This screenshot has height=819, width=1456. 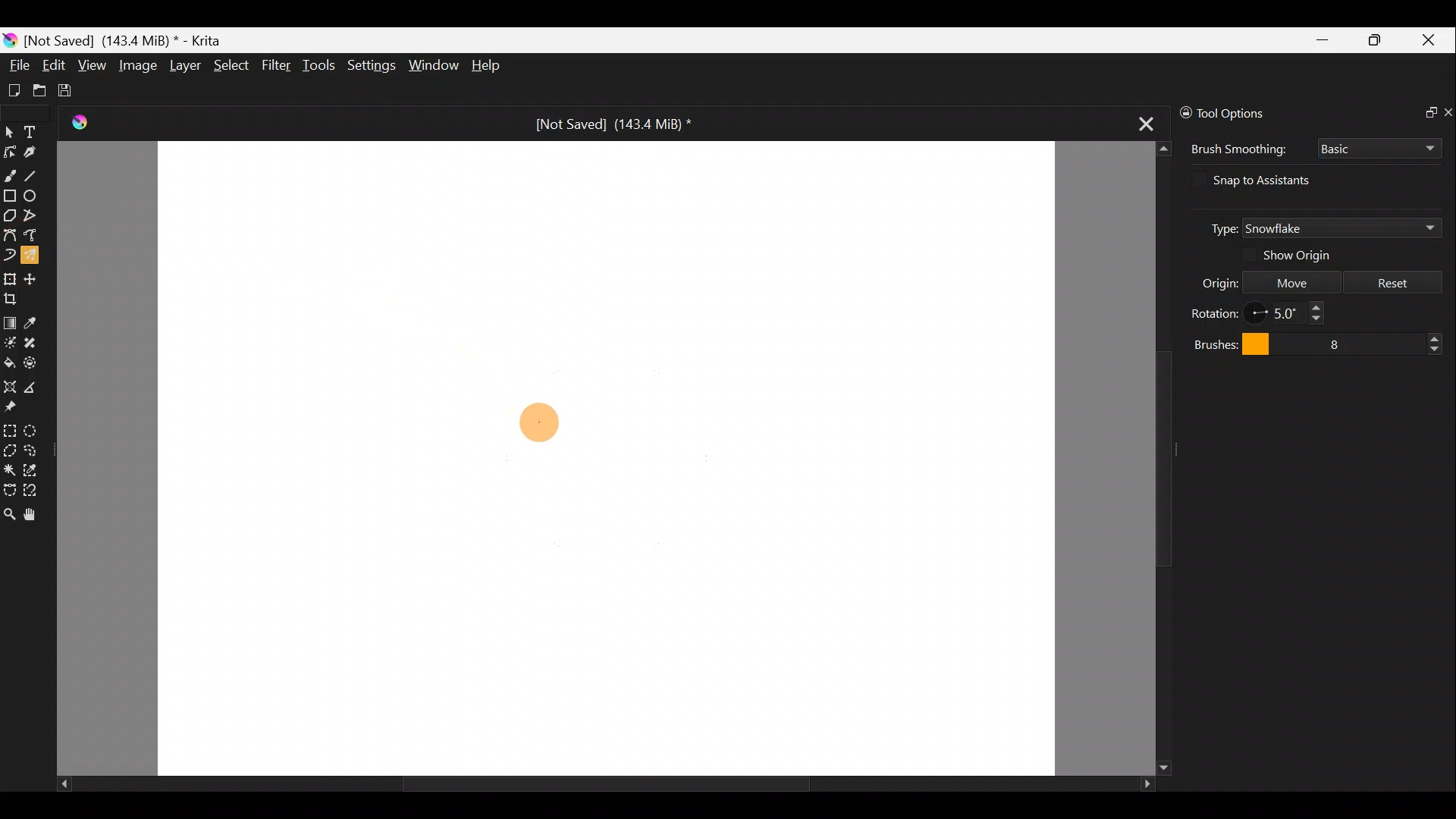 I want to click on Transform a layer/selection, so click(x=10, y=278).